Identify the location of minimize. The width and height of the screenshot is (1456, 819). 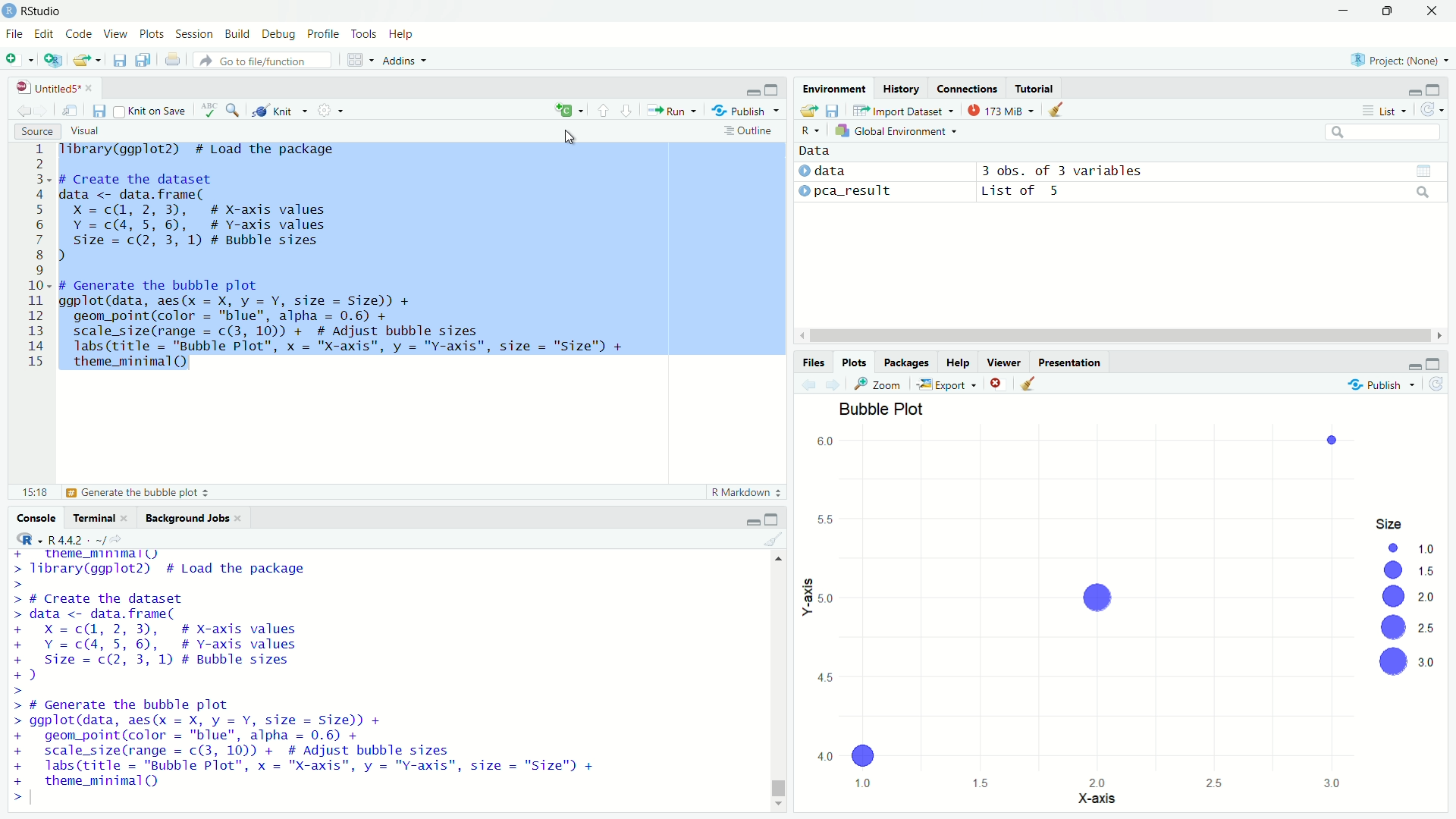
(752, 88).